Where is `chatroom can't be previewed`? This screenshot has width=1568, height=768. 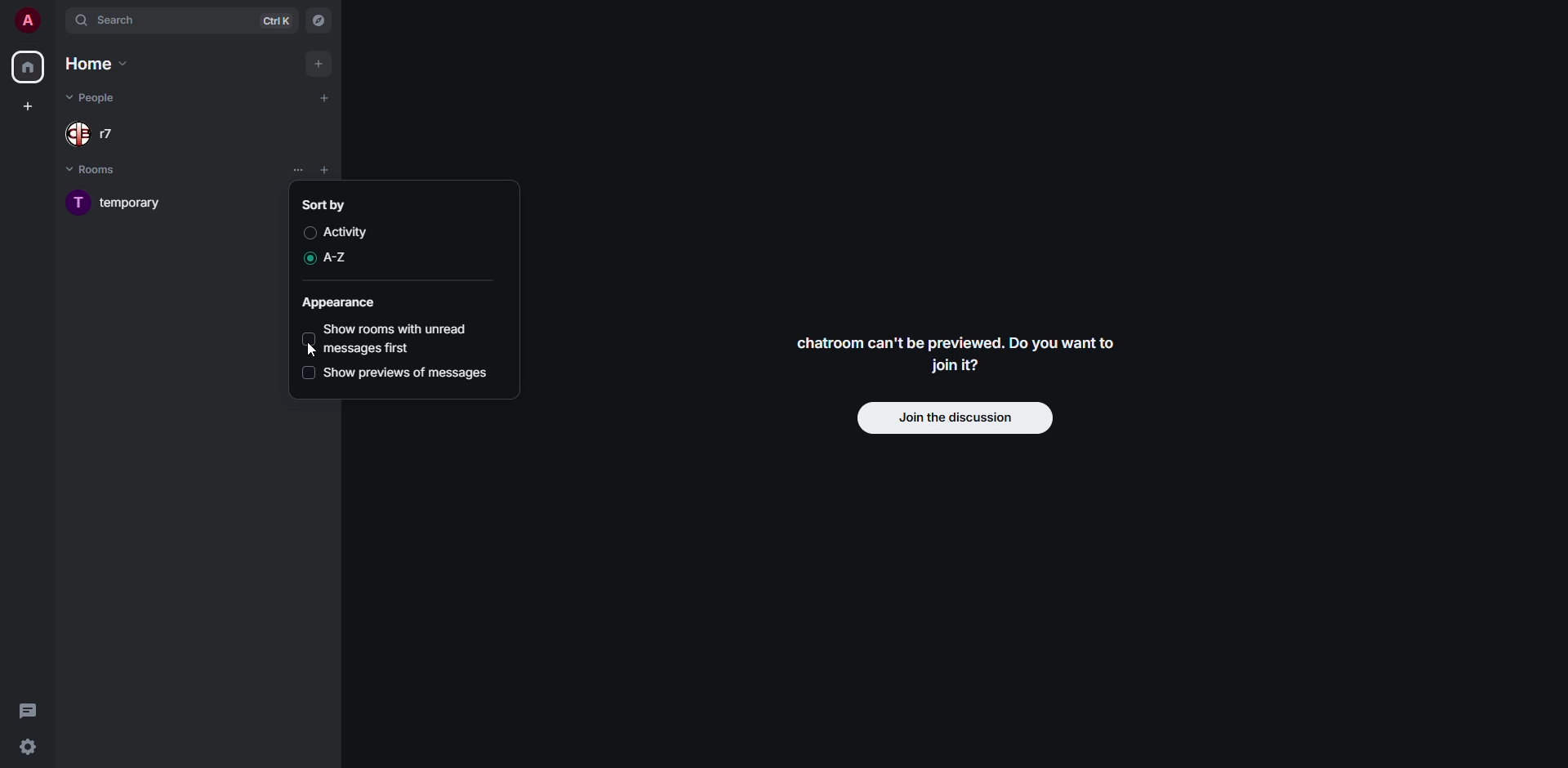 chatroom can't be previewed is located at coordinates (961, 354).